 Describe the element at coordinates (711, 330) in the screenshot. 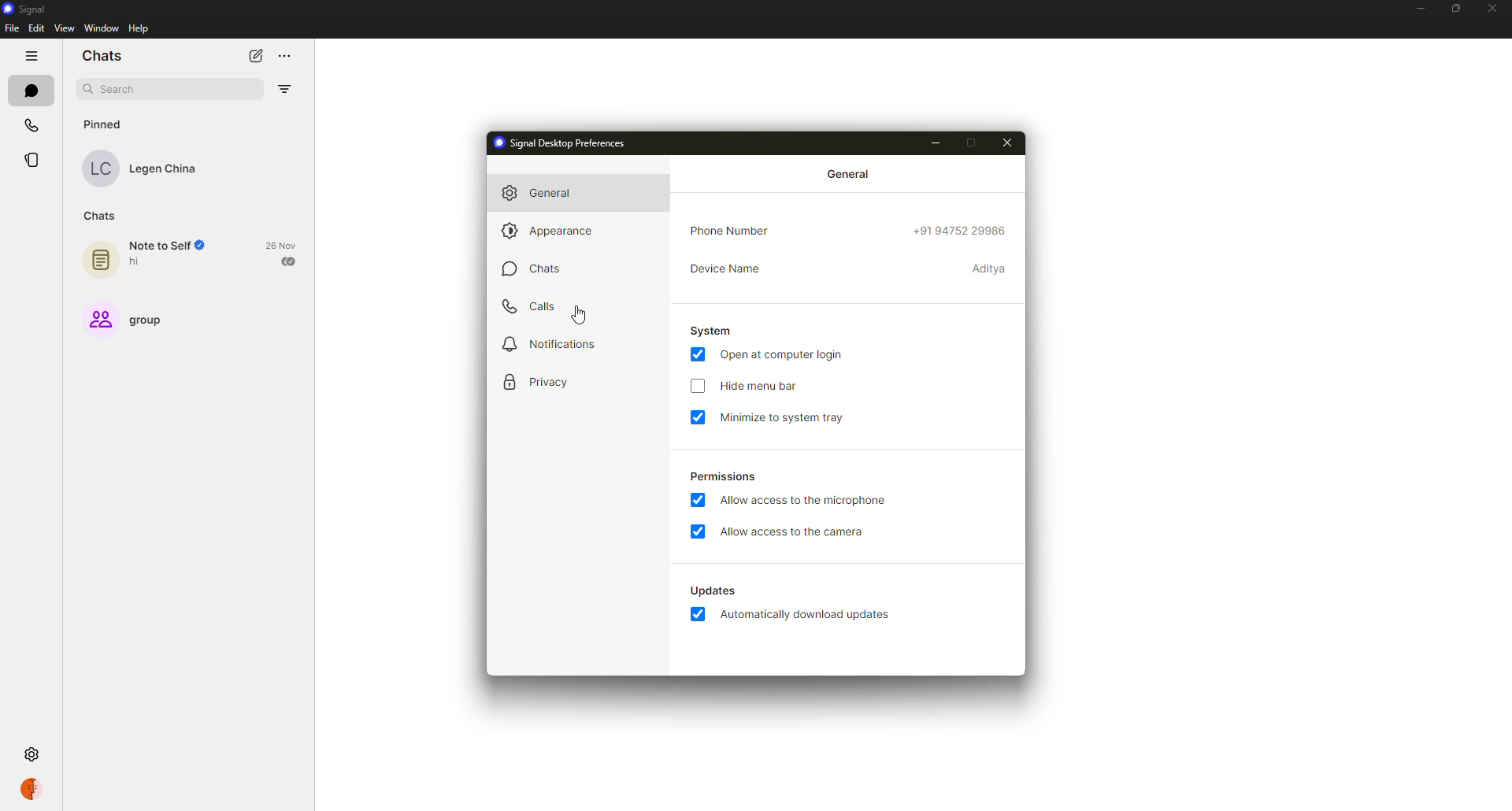

I see `system` at that location.